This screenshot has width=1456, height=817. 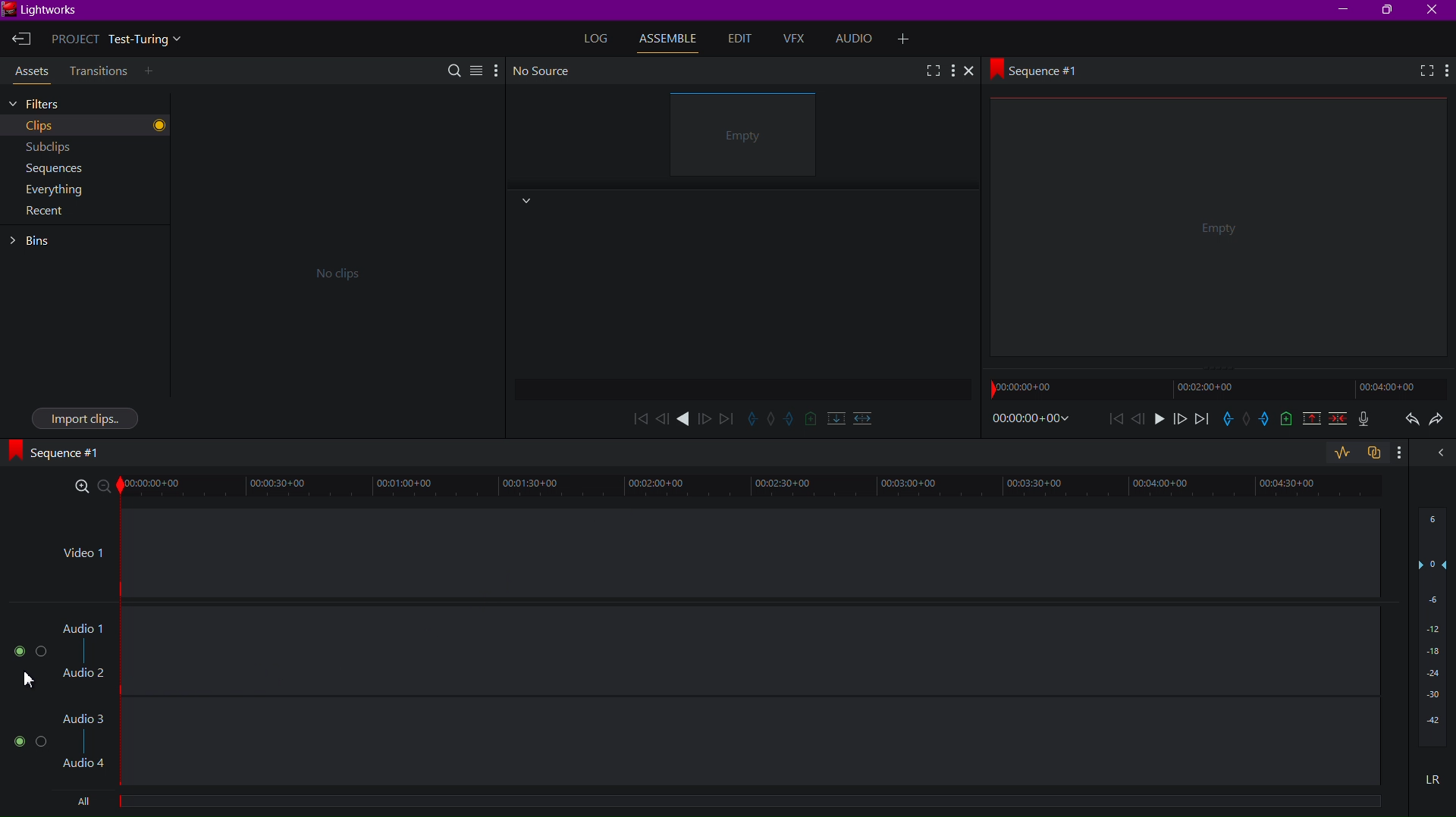 I want to click on Exit, so click(x=21, y=40).